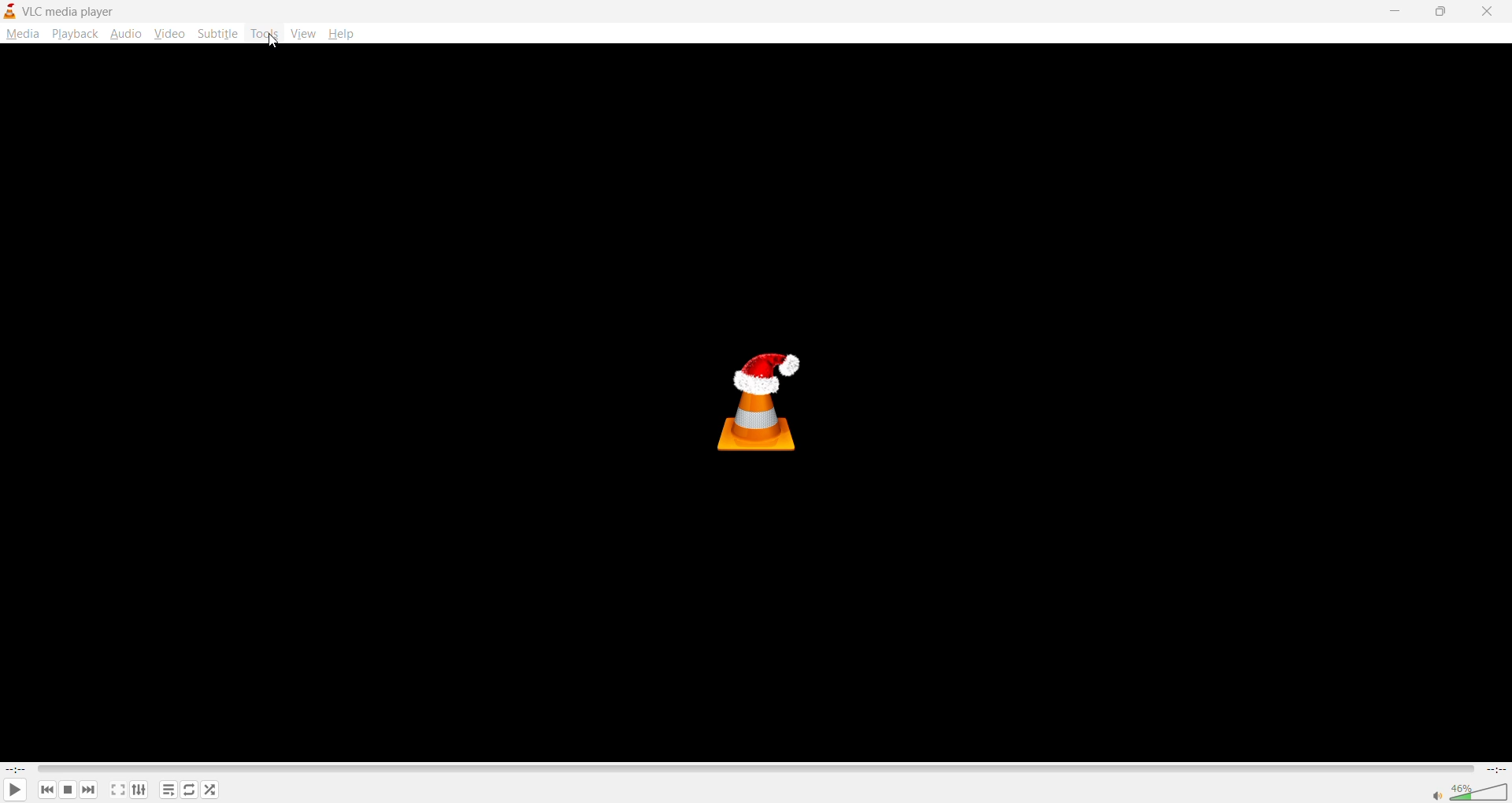 This screenshot has width=1512, height=803. Describe the element at coordinates (757, 409) in the screenshot. I see `thumbnail` at that location.